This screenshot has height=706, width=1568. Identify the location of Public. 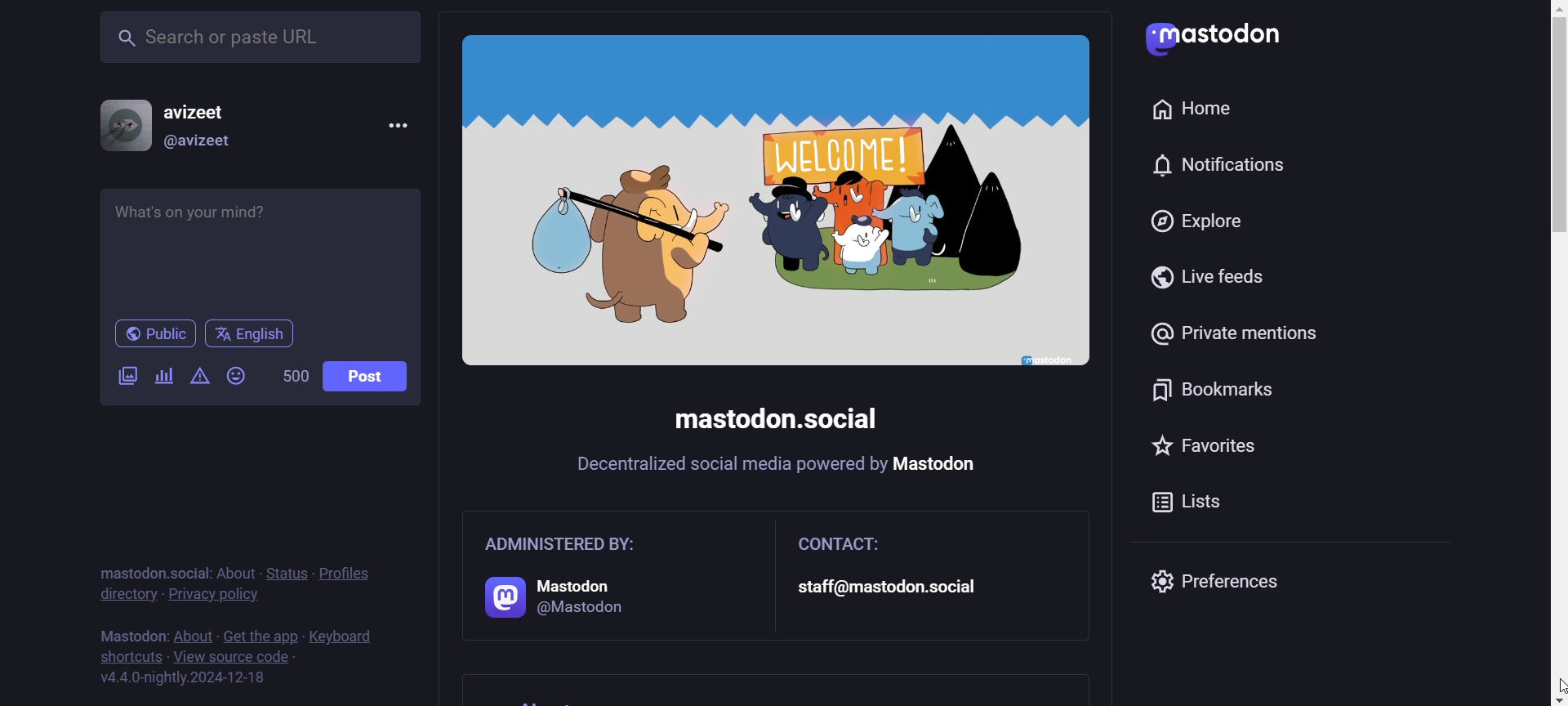
(155, 334).